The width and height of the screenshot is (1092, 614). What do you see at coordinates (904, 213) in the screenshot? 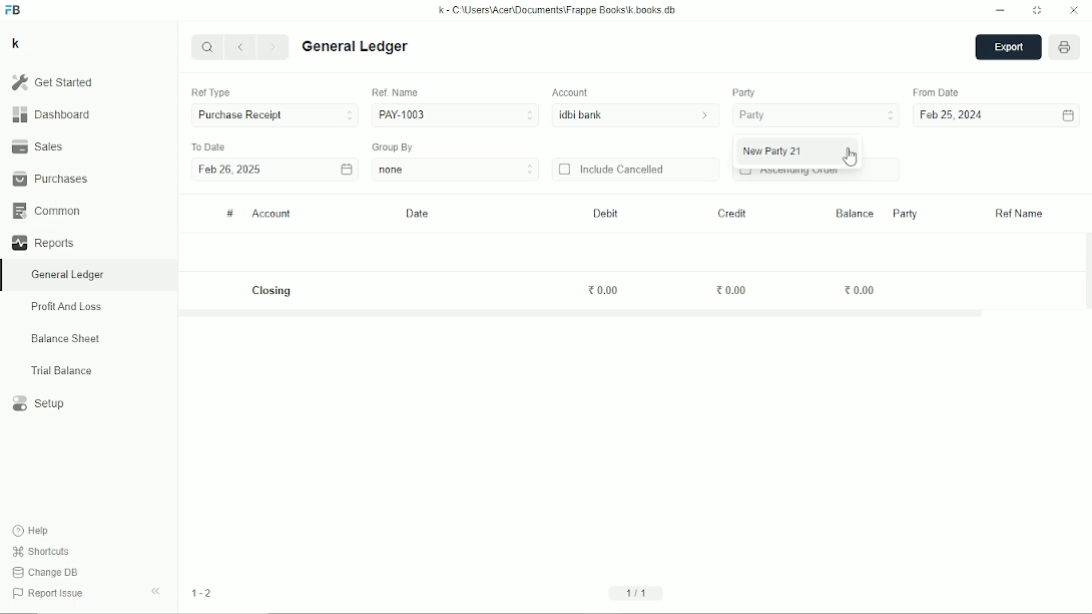
I see `Party` at bounding box center [904, 213].